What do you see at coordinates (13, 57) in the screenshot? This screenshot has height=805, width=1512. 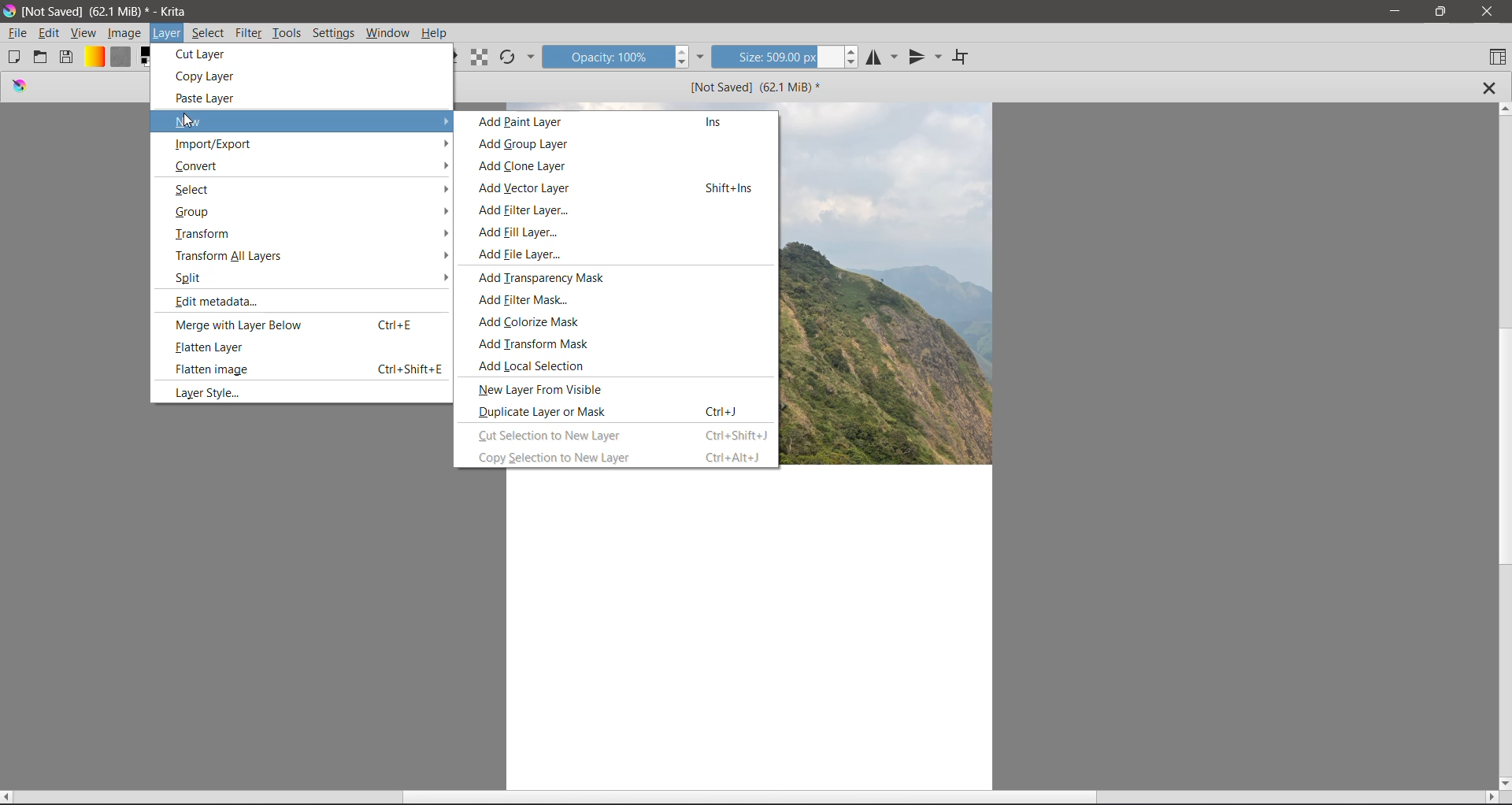 I see `Create New Document` at bounding box center [13, 57].